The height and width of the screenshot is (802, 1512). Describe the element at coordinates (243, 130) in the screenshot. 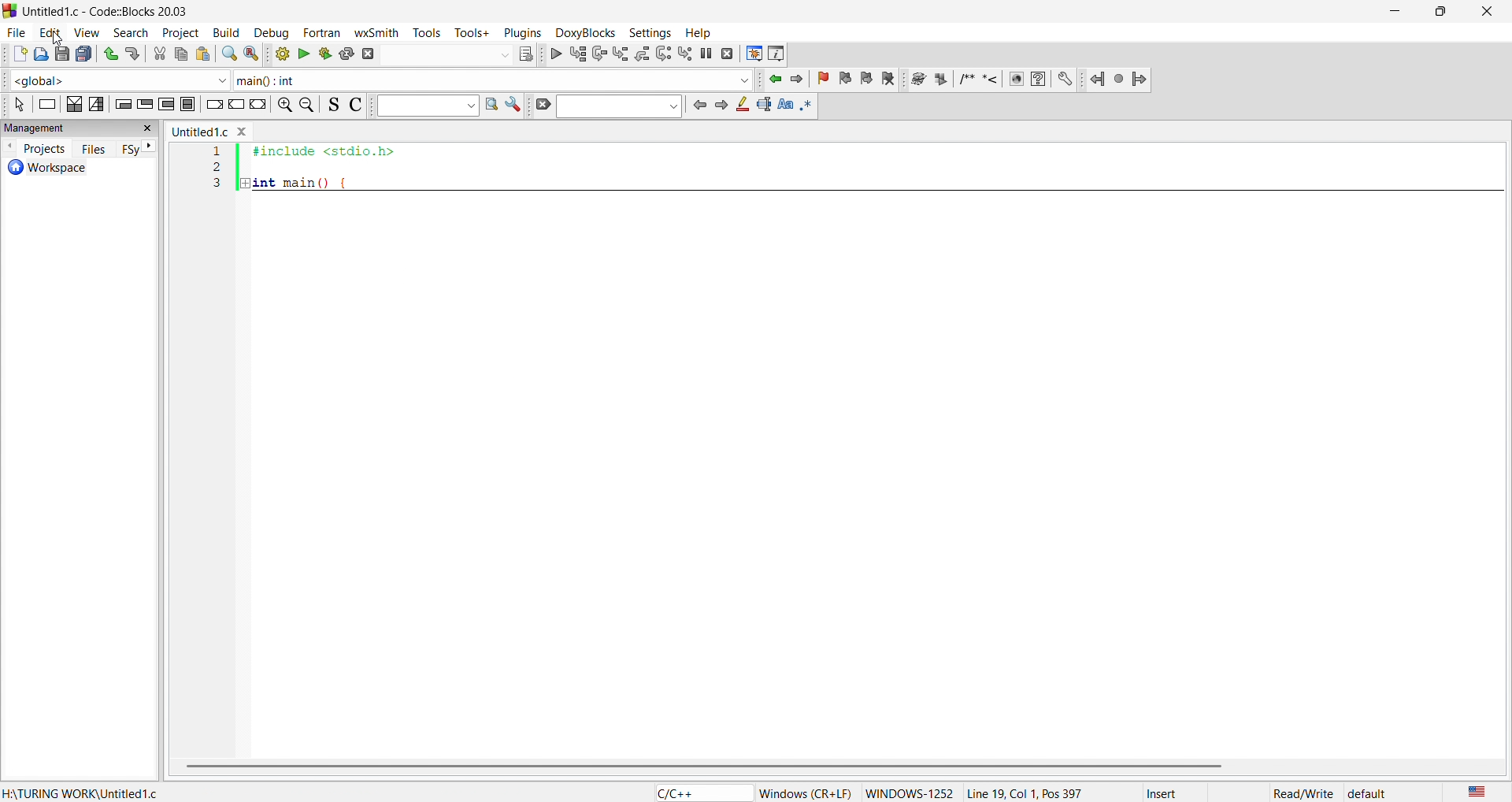

I see `close window` at that location.